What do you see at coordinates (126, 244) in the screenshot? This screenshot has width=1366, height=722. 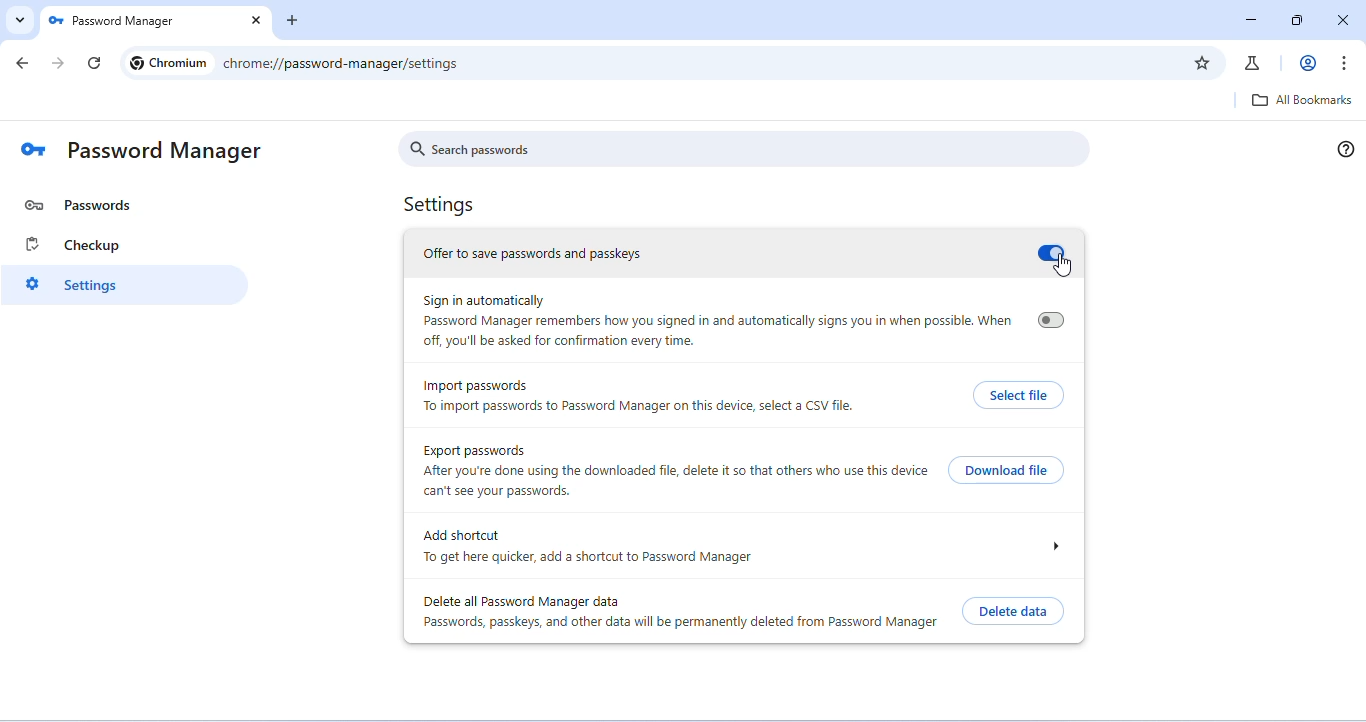 I see `checkup` at bounding box center [126, 244].